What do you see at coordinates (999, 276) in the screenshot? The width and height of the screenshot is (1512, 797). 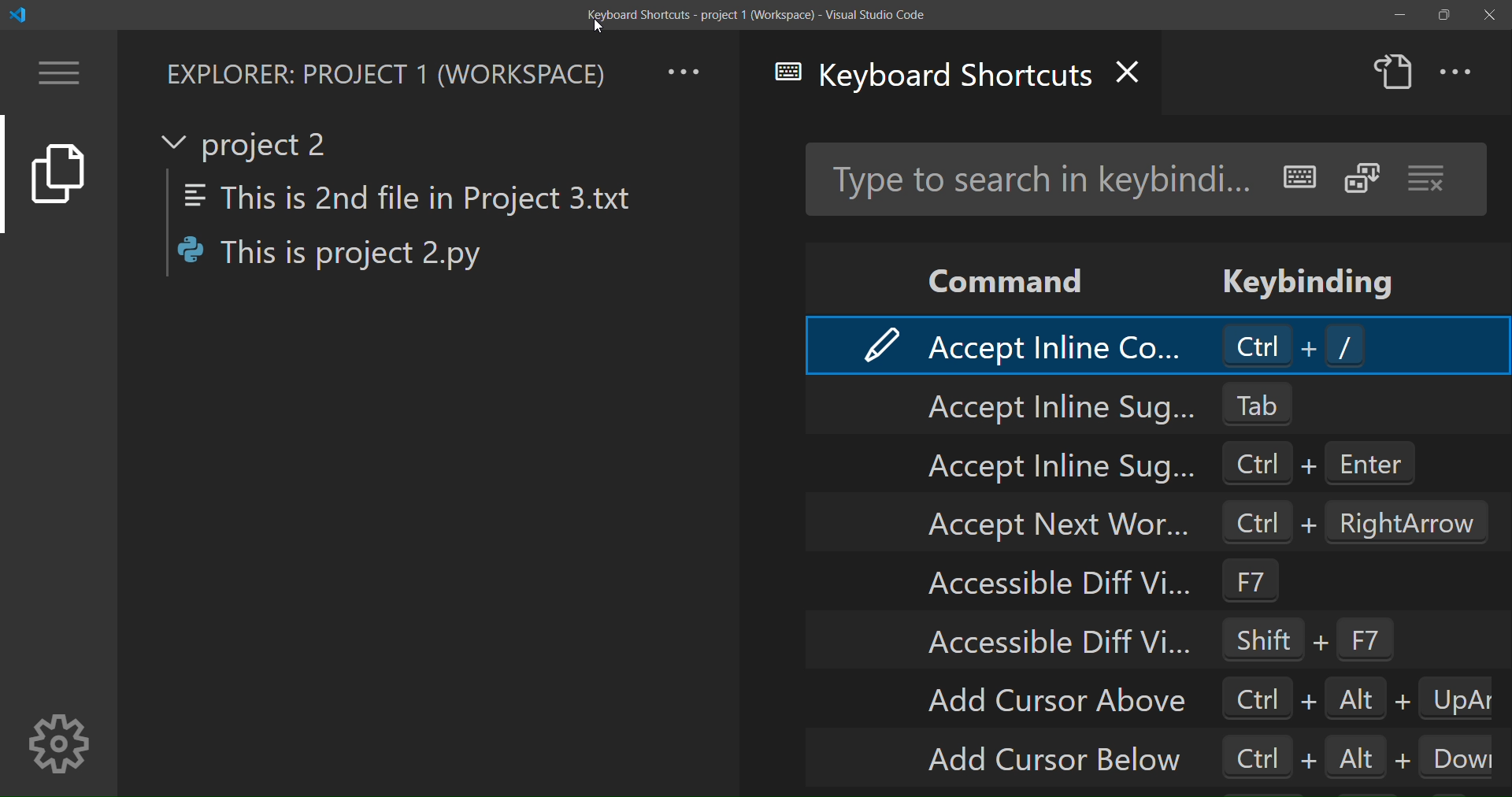 I see `command` at bounding box center [999, 276].